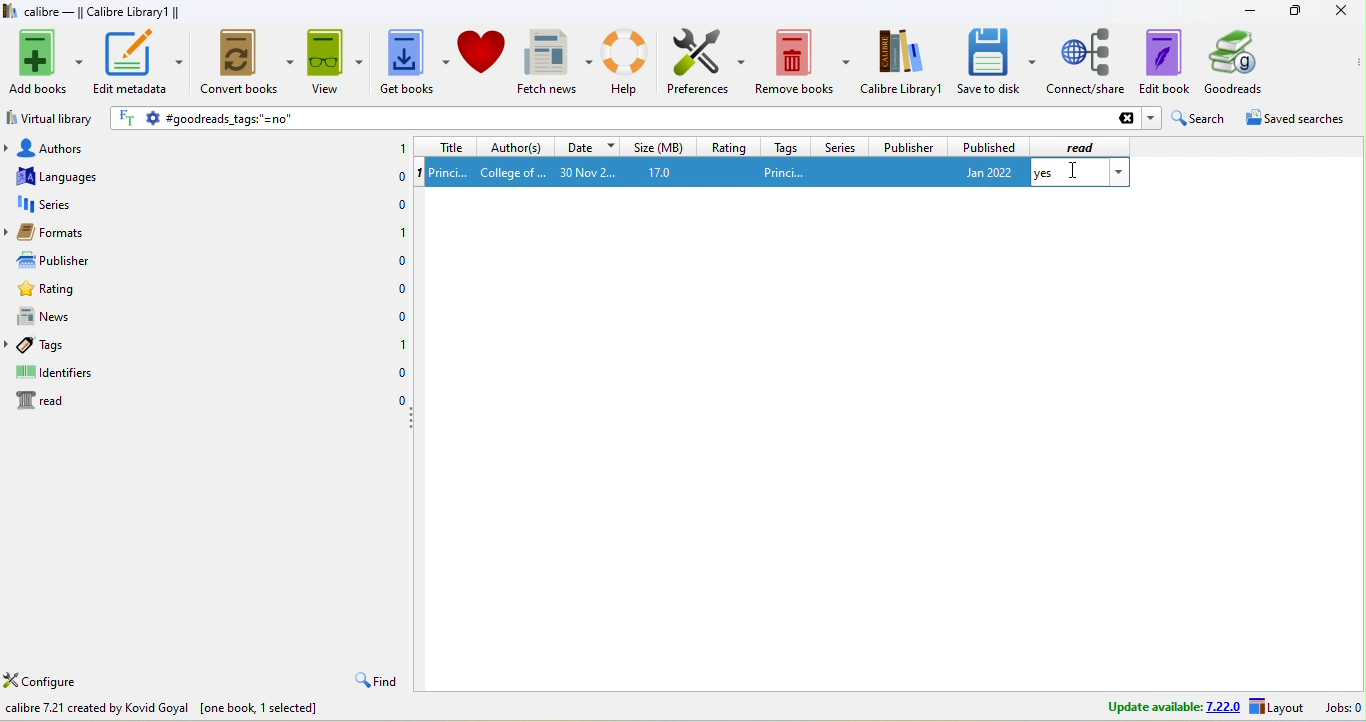 This screenshot has width=1366, height=722. What do you see at coordinates (1279, 708) in the screenshot?
I see `layout` at bounding box center [1279, 708].